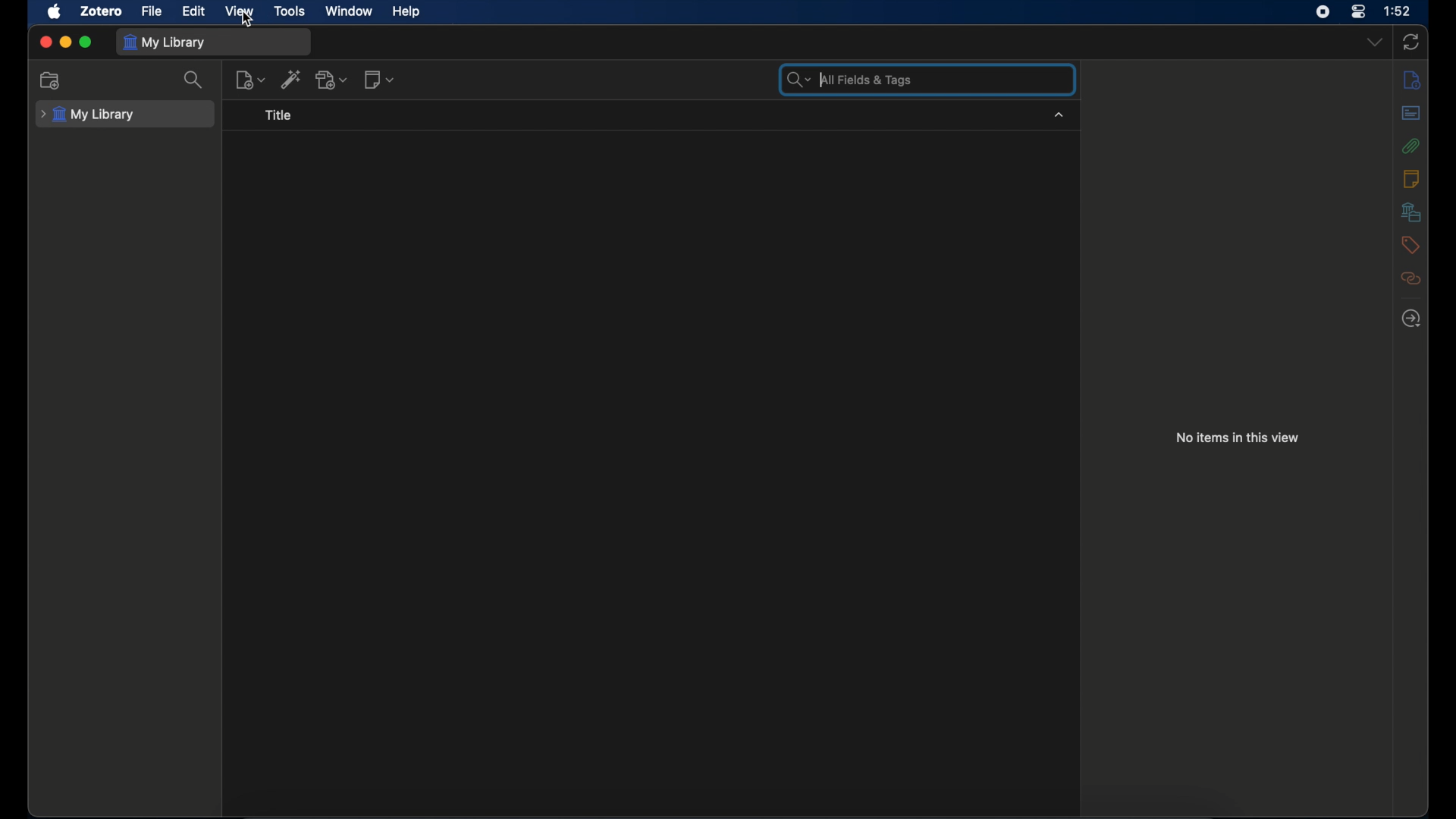 This screenshot has width=1456, height=819. Describe the element at coordinates (193, 80) in the screenshot. I see `search` at that location.